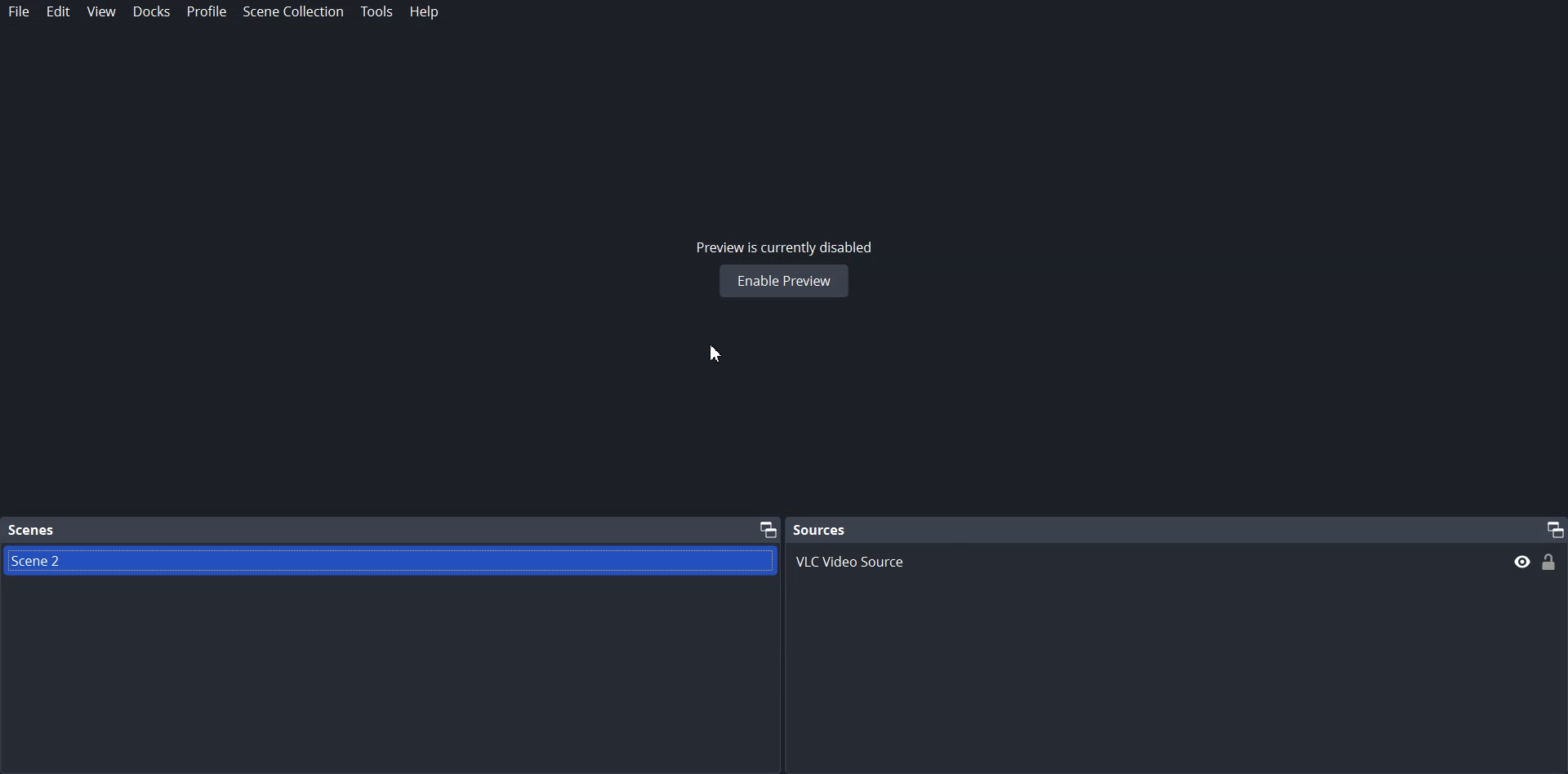  I want to click on Sources, so click(820, 528).